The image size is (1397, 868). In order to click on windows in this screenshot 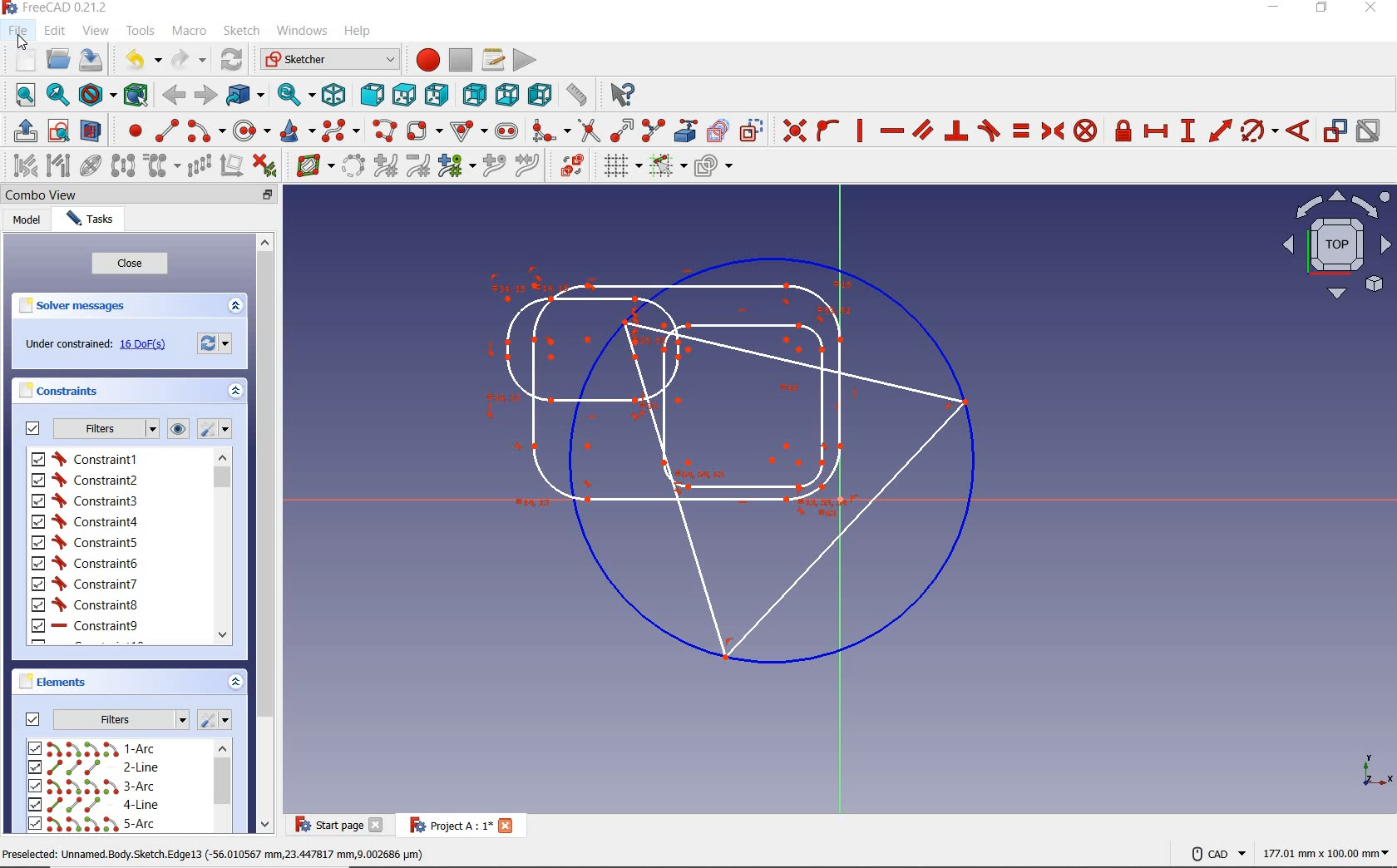, I will do `click(304, 31)`.